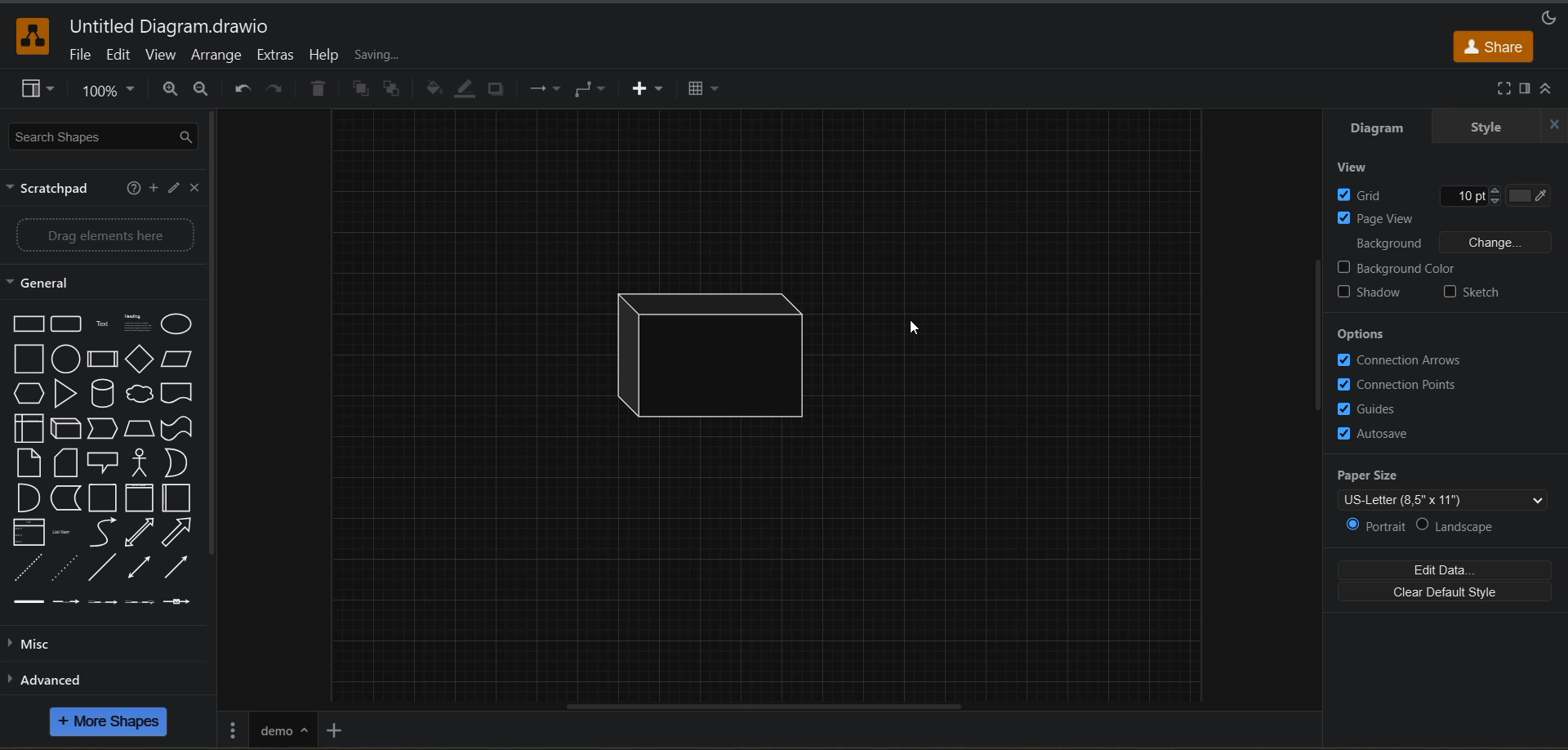 The height and width of the screenshot is (750, 1568). What do you see at coordinates (78, 58) in the screenshot?
I see `file` at bounding box center [78, 58].